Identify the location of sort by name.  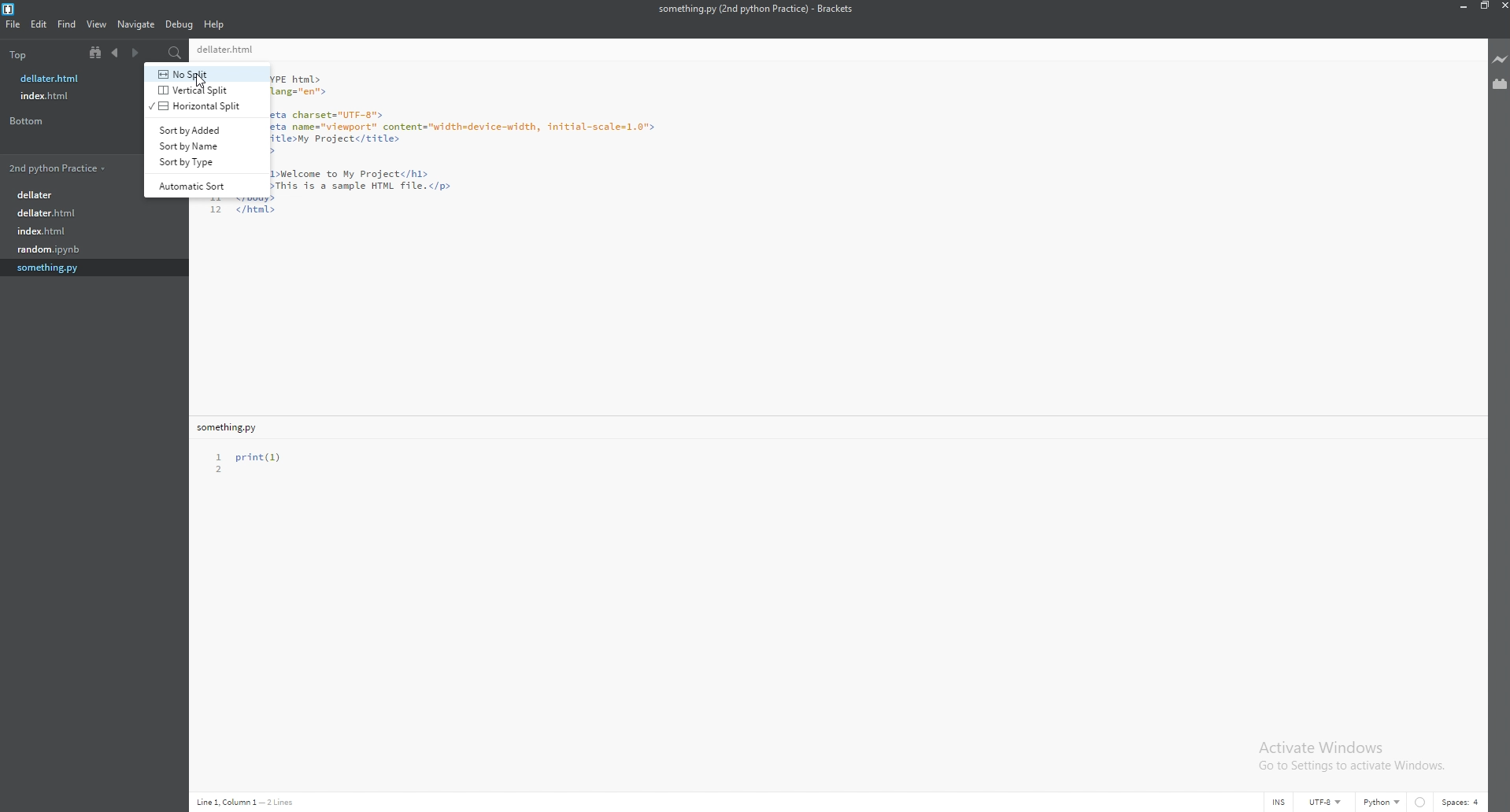
(206, 146).